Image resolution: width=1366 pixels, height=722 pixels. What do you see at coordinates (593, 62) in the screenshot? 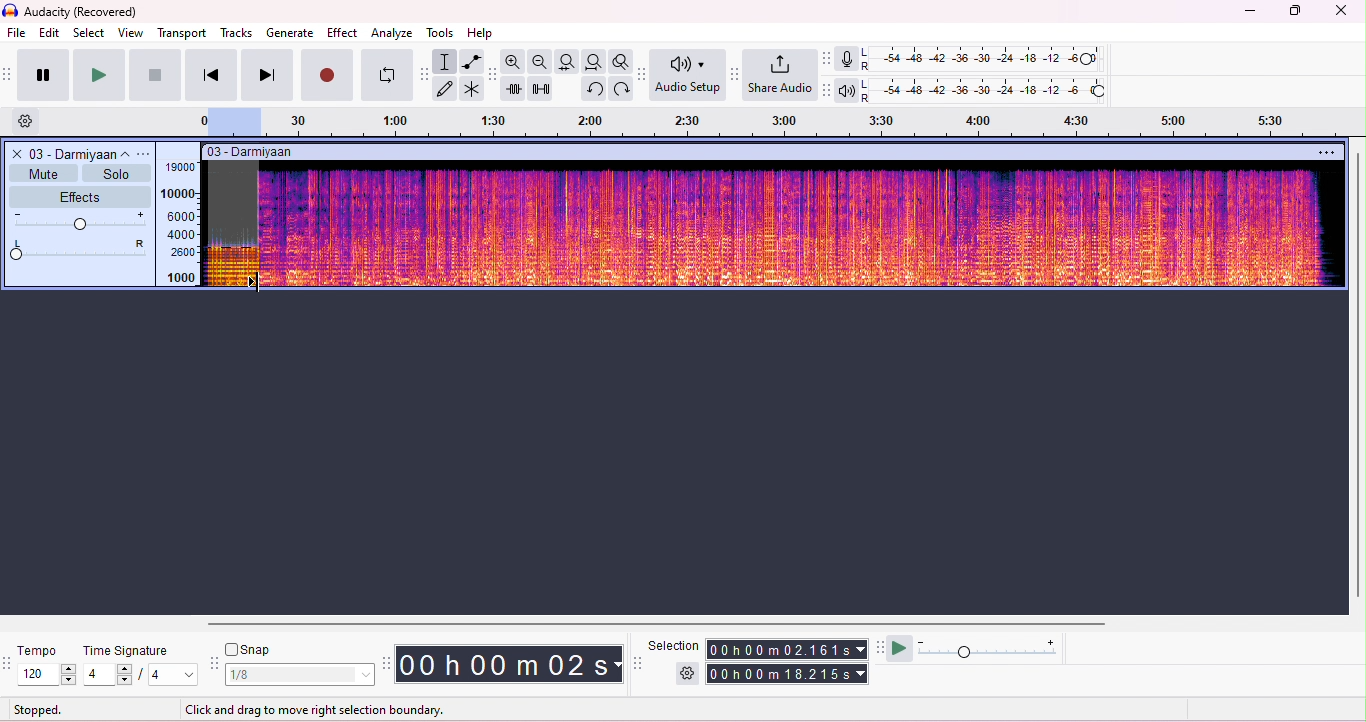
I see `fit project to width` at bounding box center [593, 62].